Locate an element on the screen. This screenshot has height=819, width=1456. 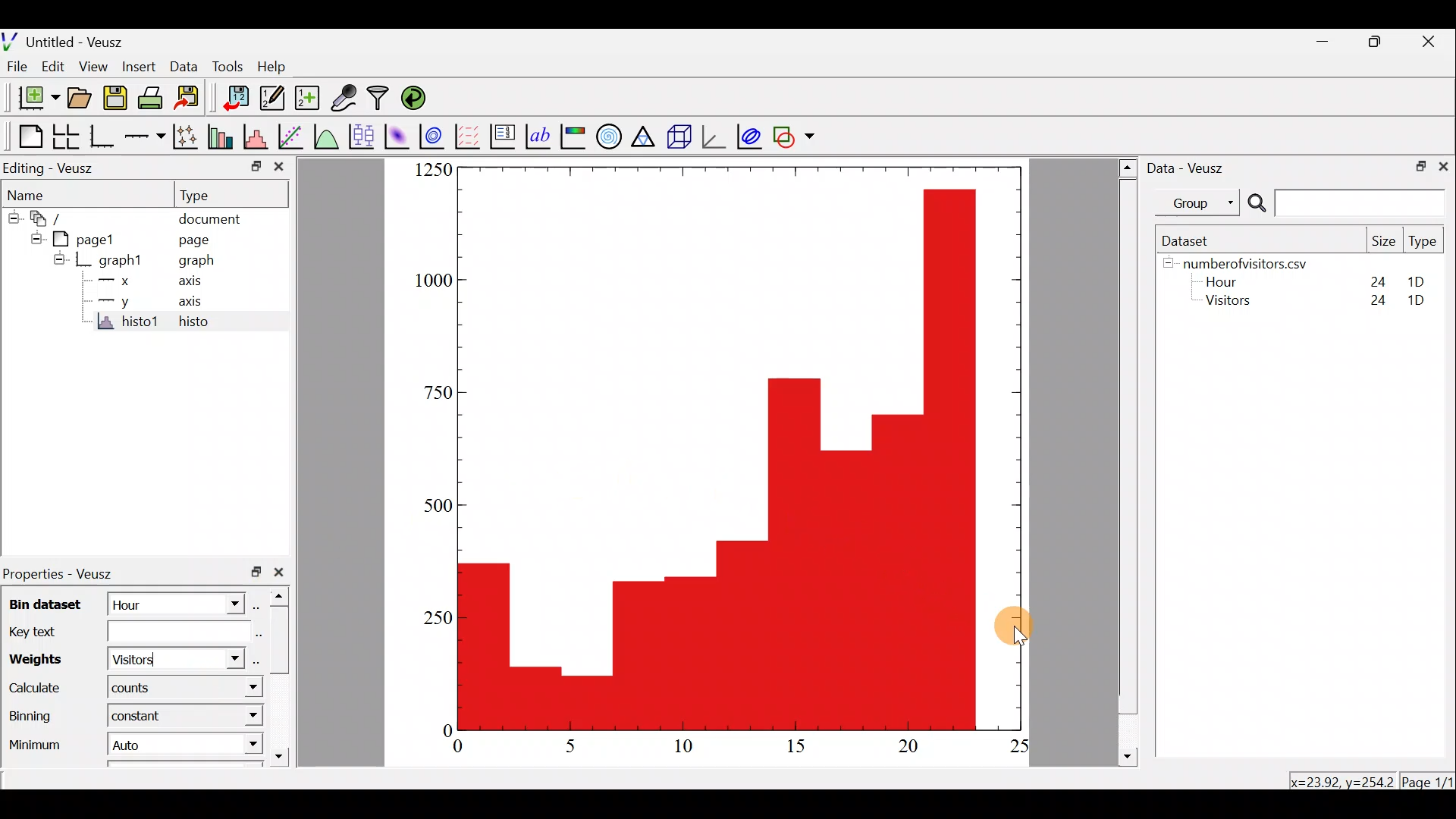
axis is located at coordinates (188, 305).